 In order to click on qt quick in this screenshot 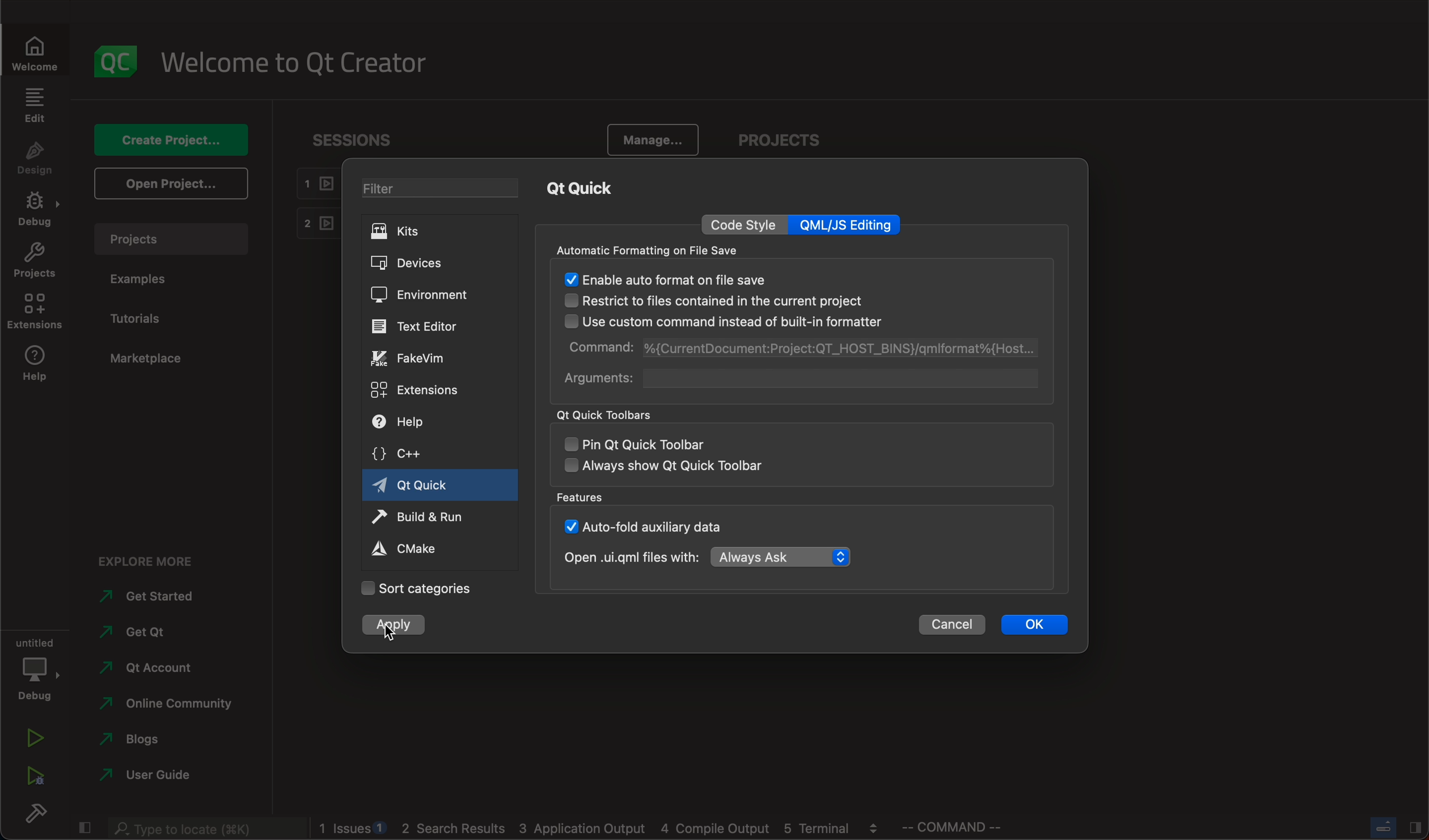, I will do `click(584, 188)`.